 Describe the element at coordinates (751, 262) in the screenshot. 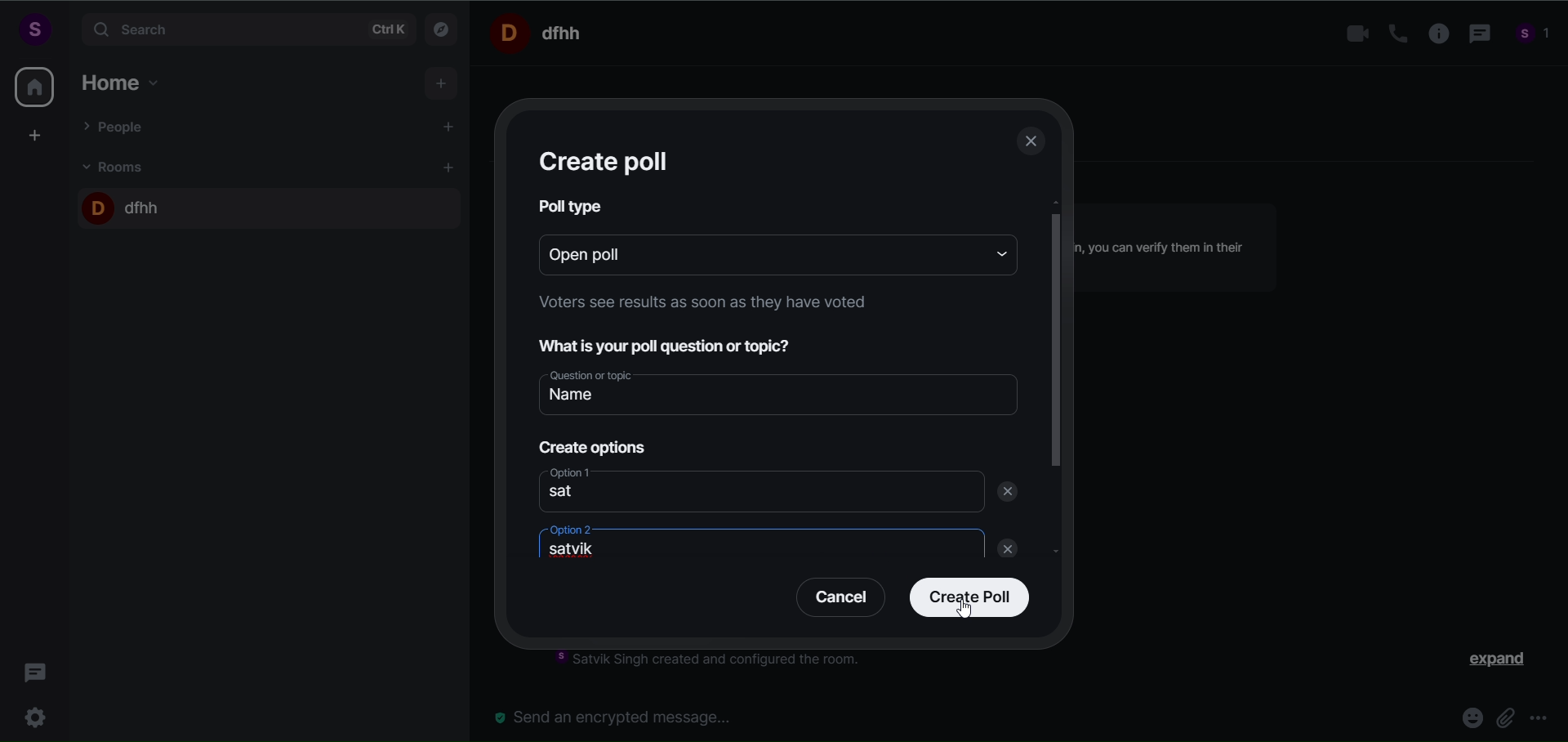

I see `open poll` at that location.